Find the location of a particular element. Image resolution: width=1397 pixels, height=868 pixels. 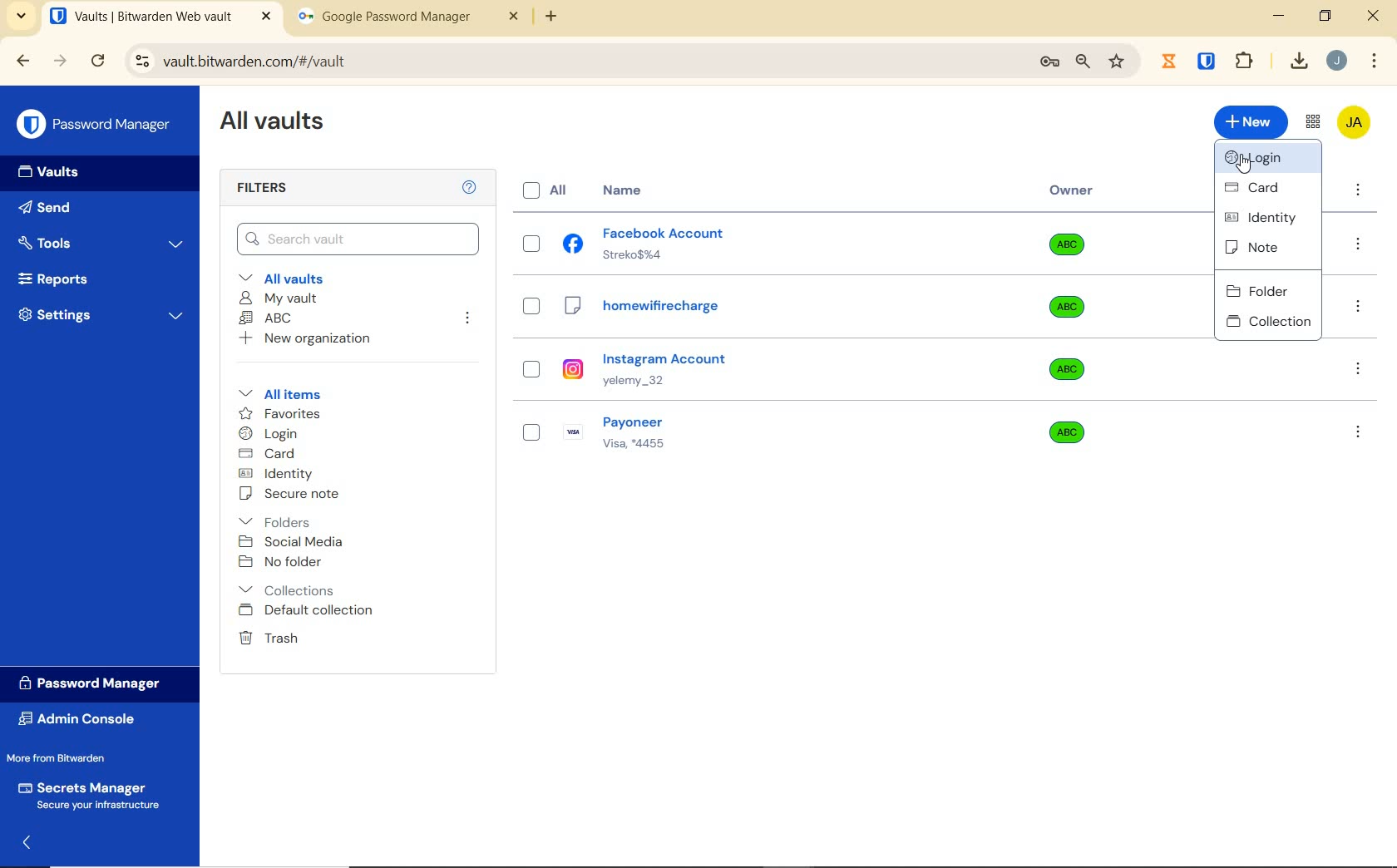

Bitwarden Account is located at coordinates (1354, 124).